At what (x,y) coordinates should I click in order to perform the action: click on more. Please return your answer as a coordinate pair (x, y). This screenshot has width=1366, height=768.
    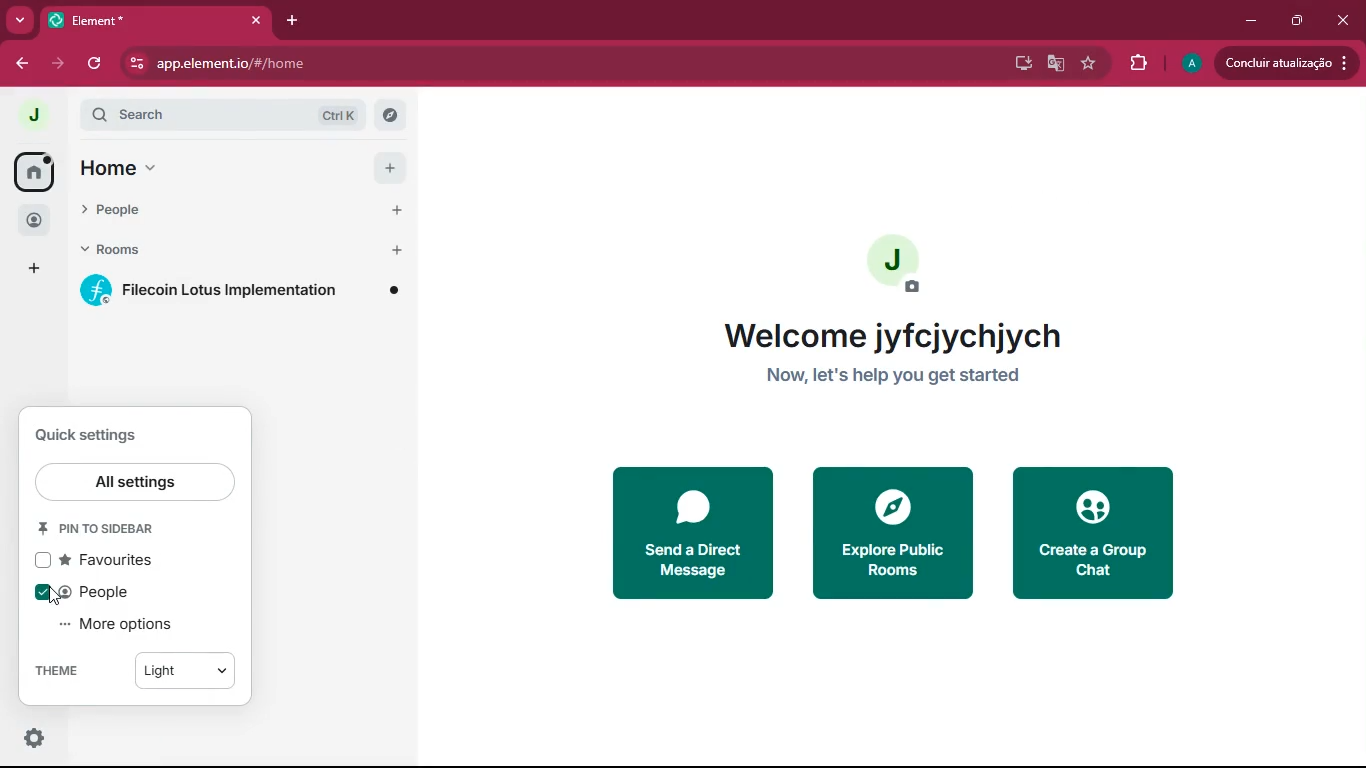
    Looking at the image, I should click on (18, 18).